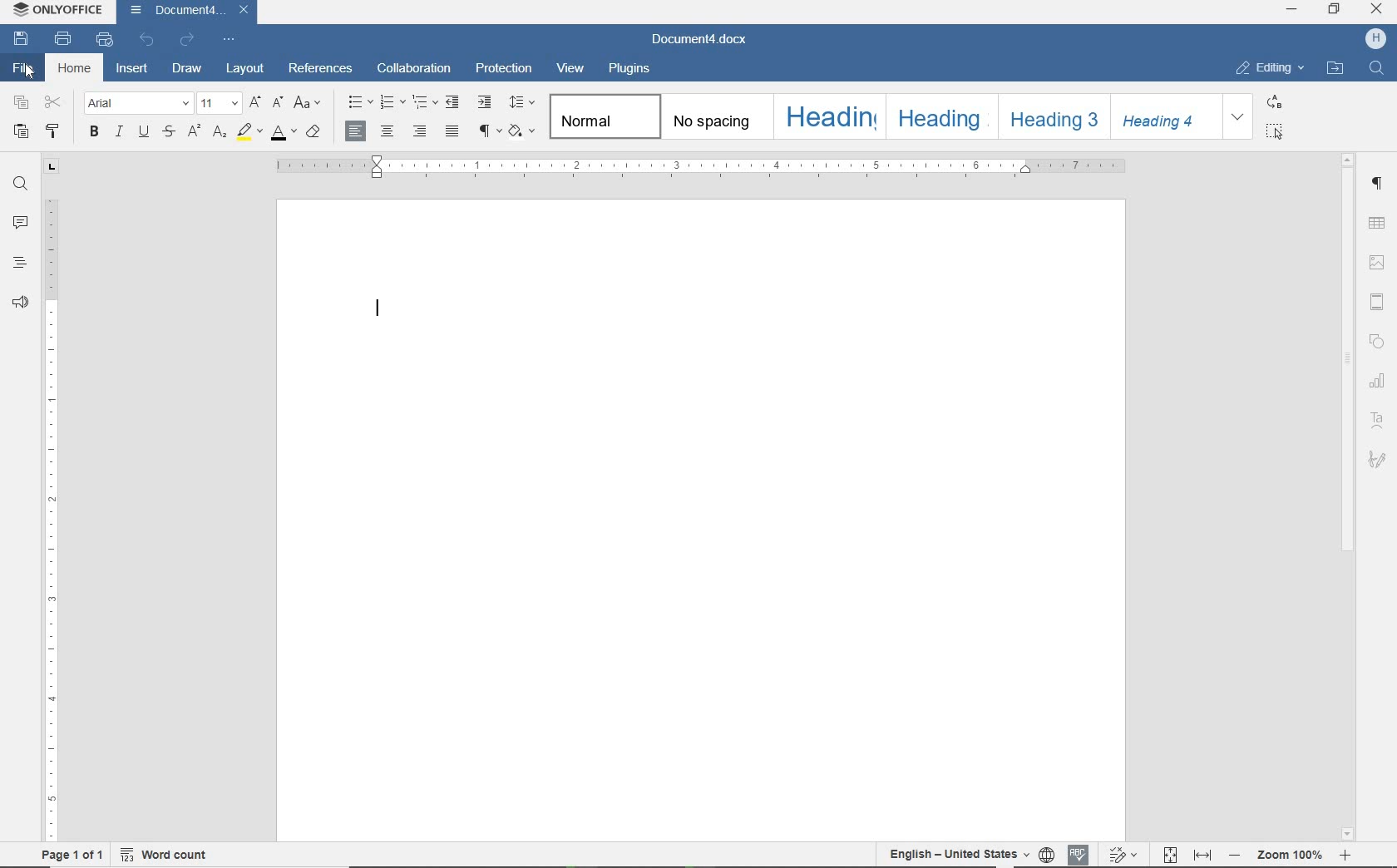  Describe the element at coordinates (31, 76) in the screenshot. I see `Pointer` at that location.